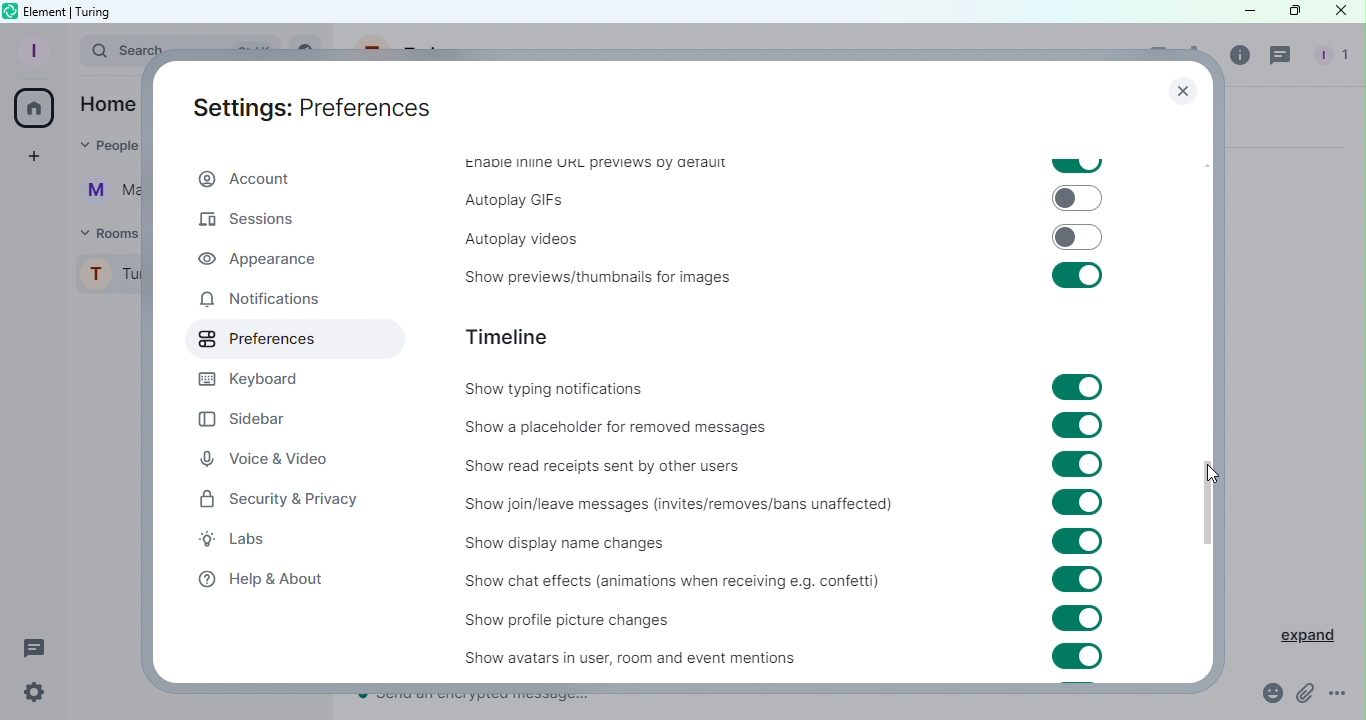  I want to click on Toggle, so click(1078, 427).